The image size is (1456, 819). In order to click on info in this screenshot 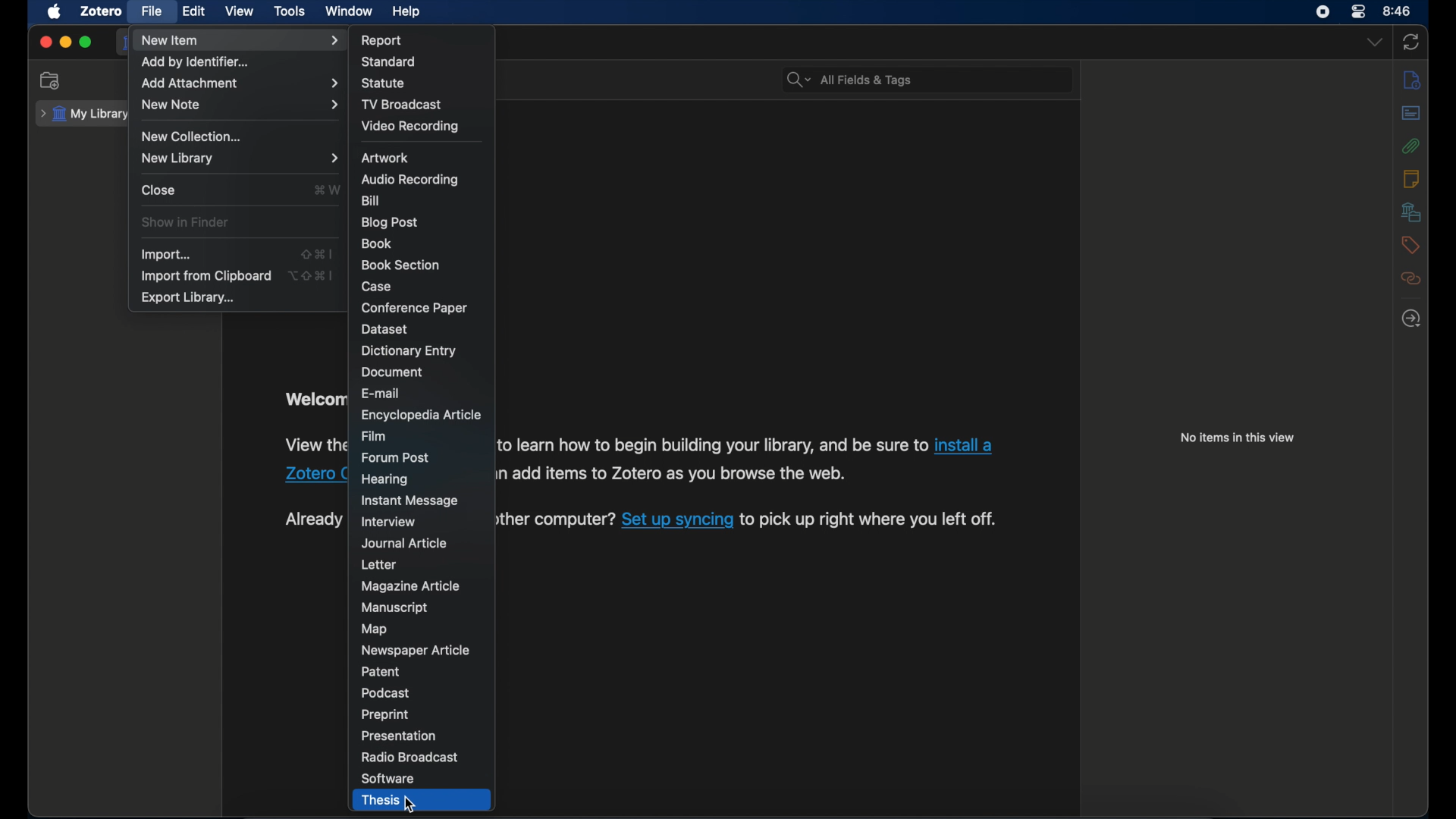, I will do `click(1411, 79)`.